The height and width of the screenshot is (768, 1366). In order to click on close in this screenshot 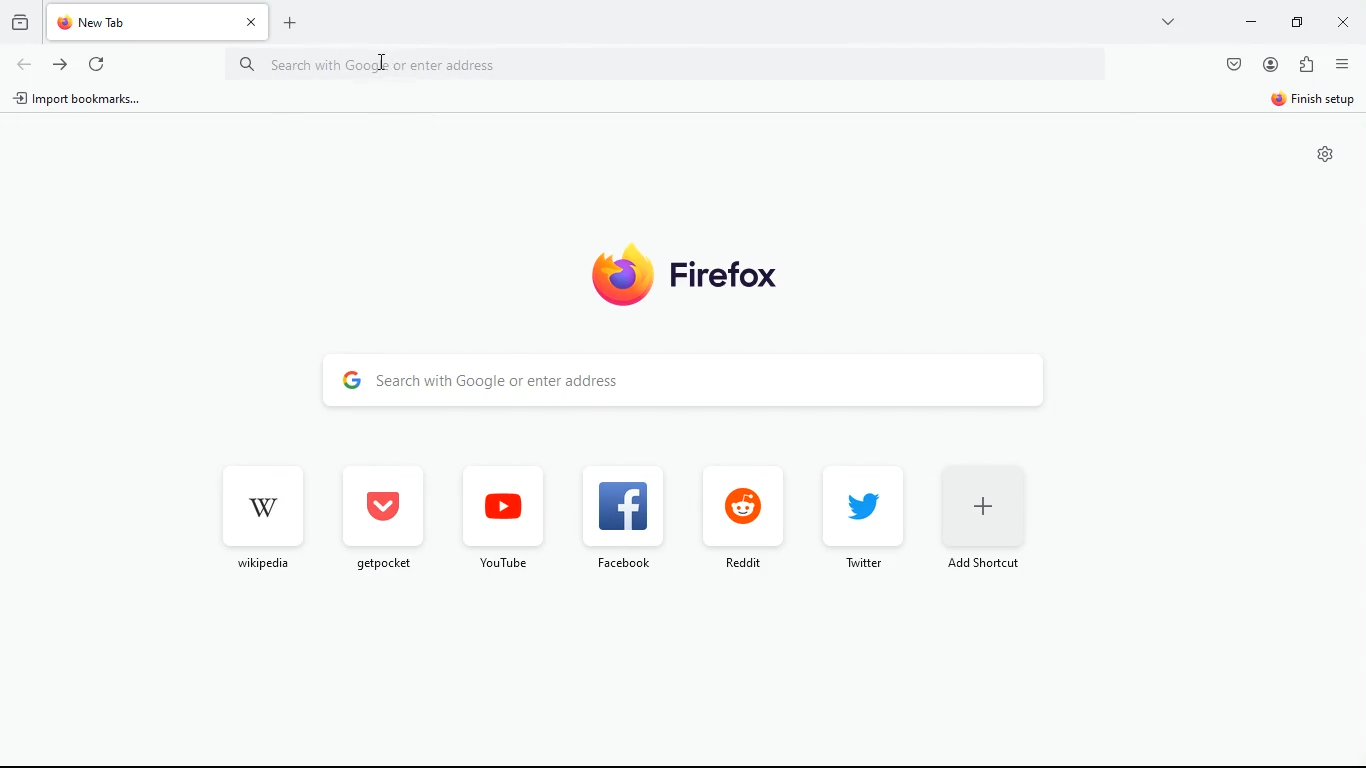, I will do `click(1343, 24)`.